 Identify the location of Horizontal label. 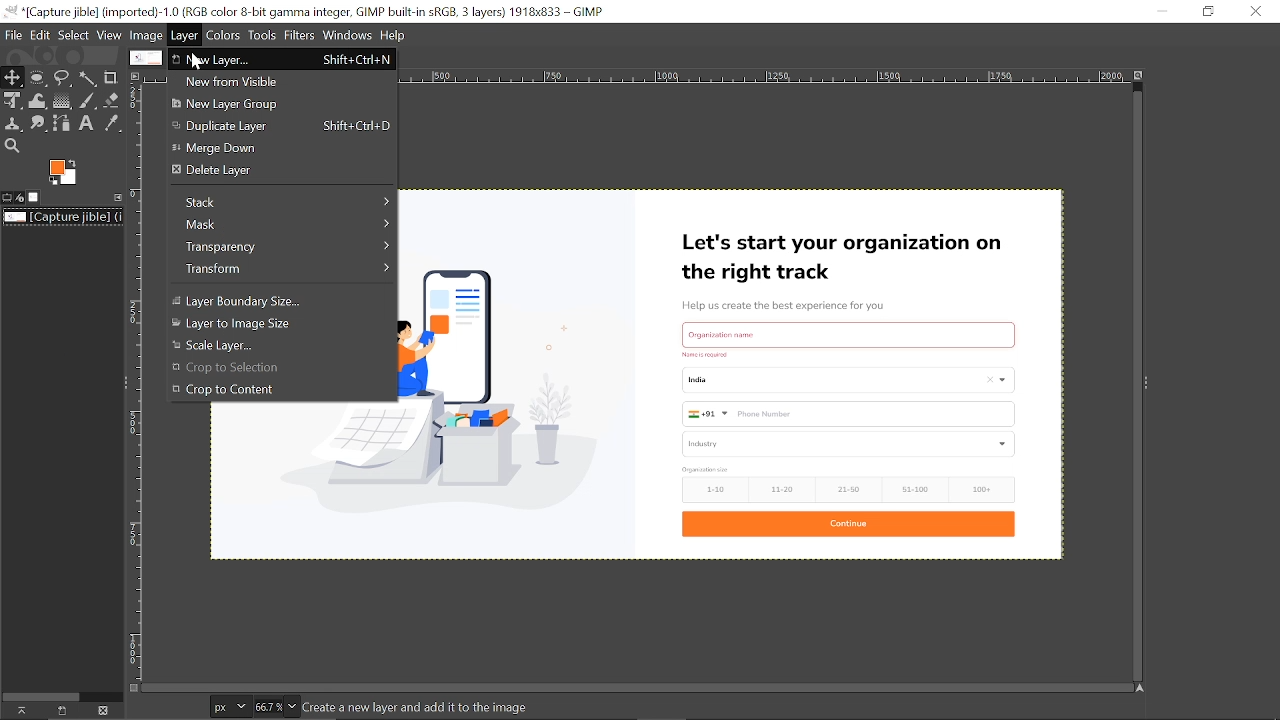
(766, 79).